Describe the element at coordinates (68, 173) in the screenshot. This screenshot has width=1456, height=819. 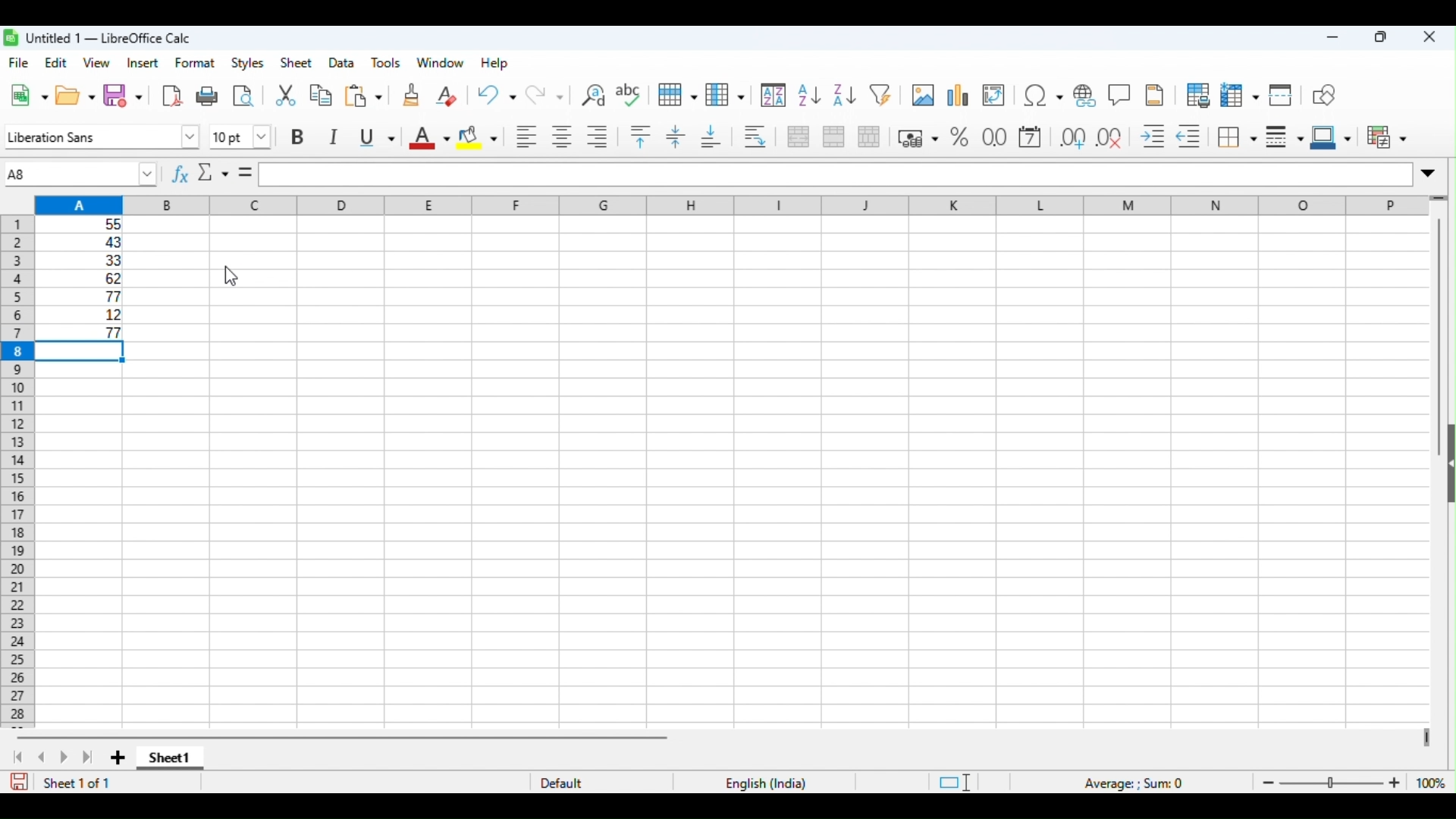
I see `selected cell number` at that location.